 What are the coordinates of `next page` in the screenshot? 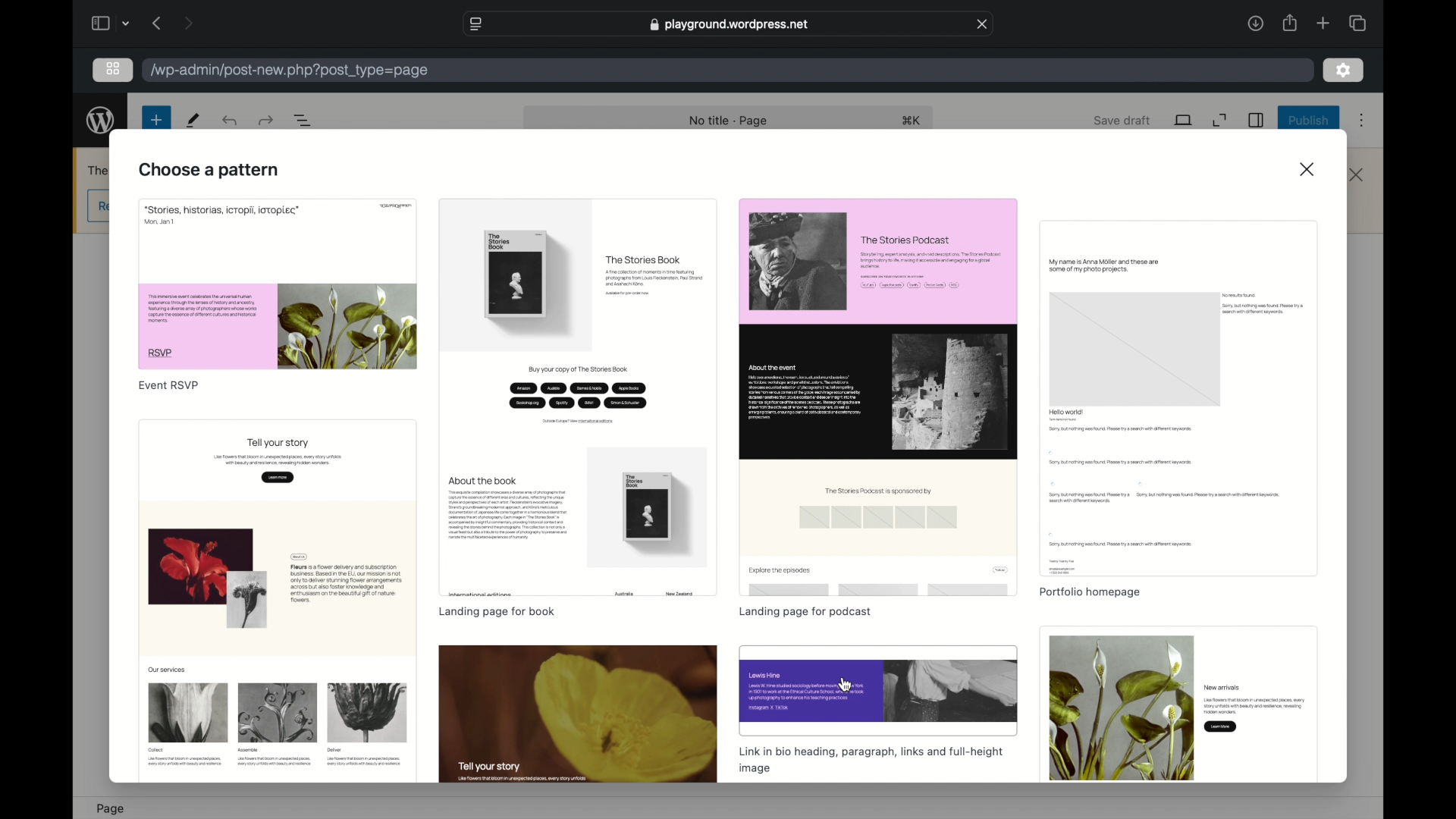 It's located at (187, 24).